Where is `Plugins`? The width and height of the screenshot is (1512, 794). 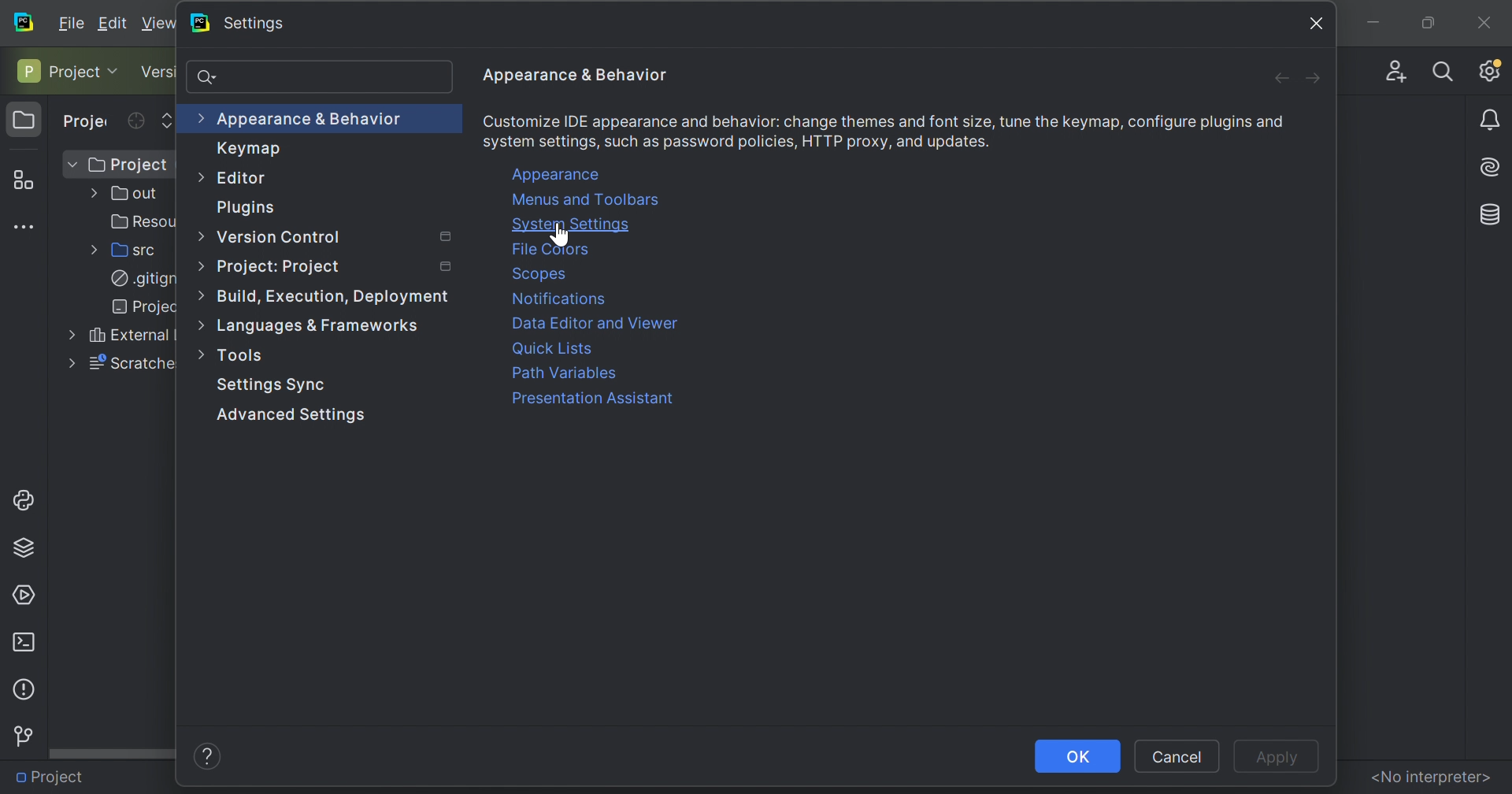
Plugins is located at coordinates (245, 208).